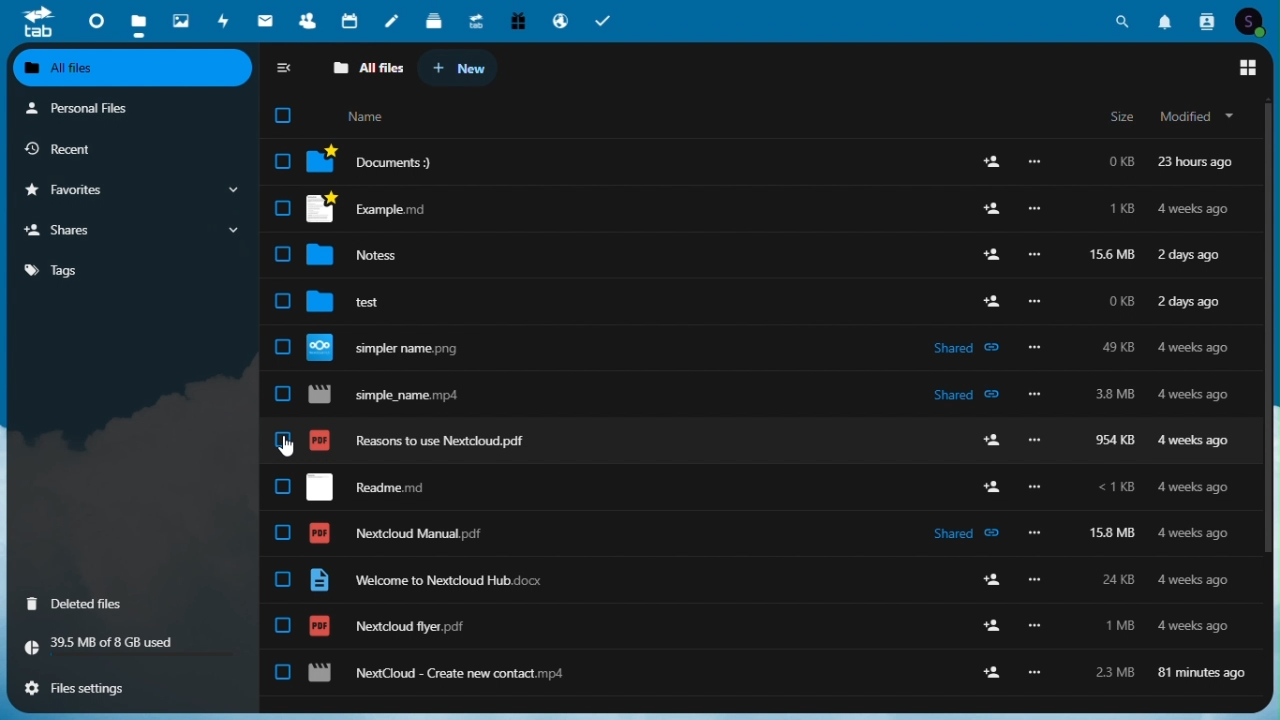  Describe the element at coordinates (1035, 579) in the screenshot. I see `more options` at that location.